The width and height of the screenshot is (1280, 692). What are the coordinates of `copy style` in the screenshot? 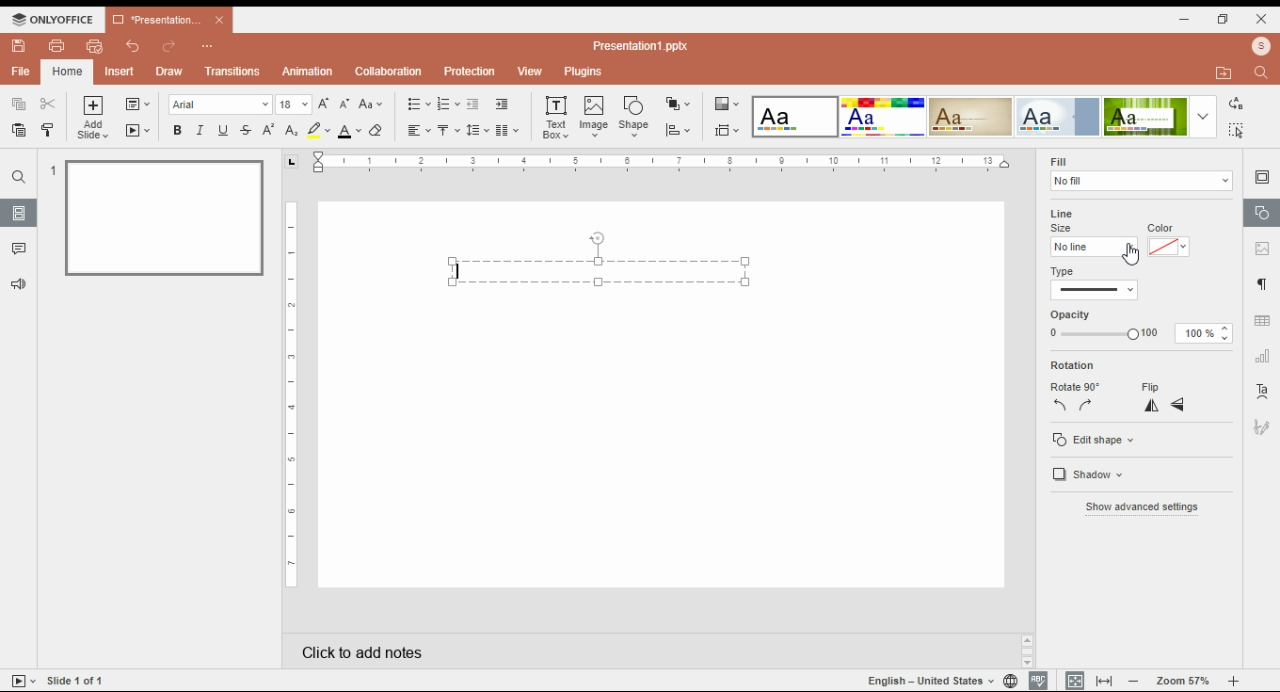 It's located at (47, 129).